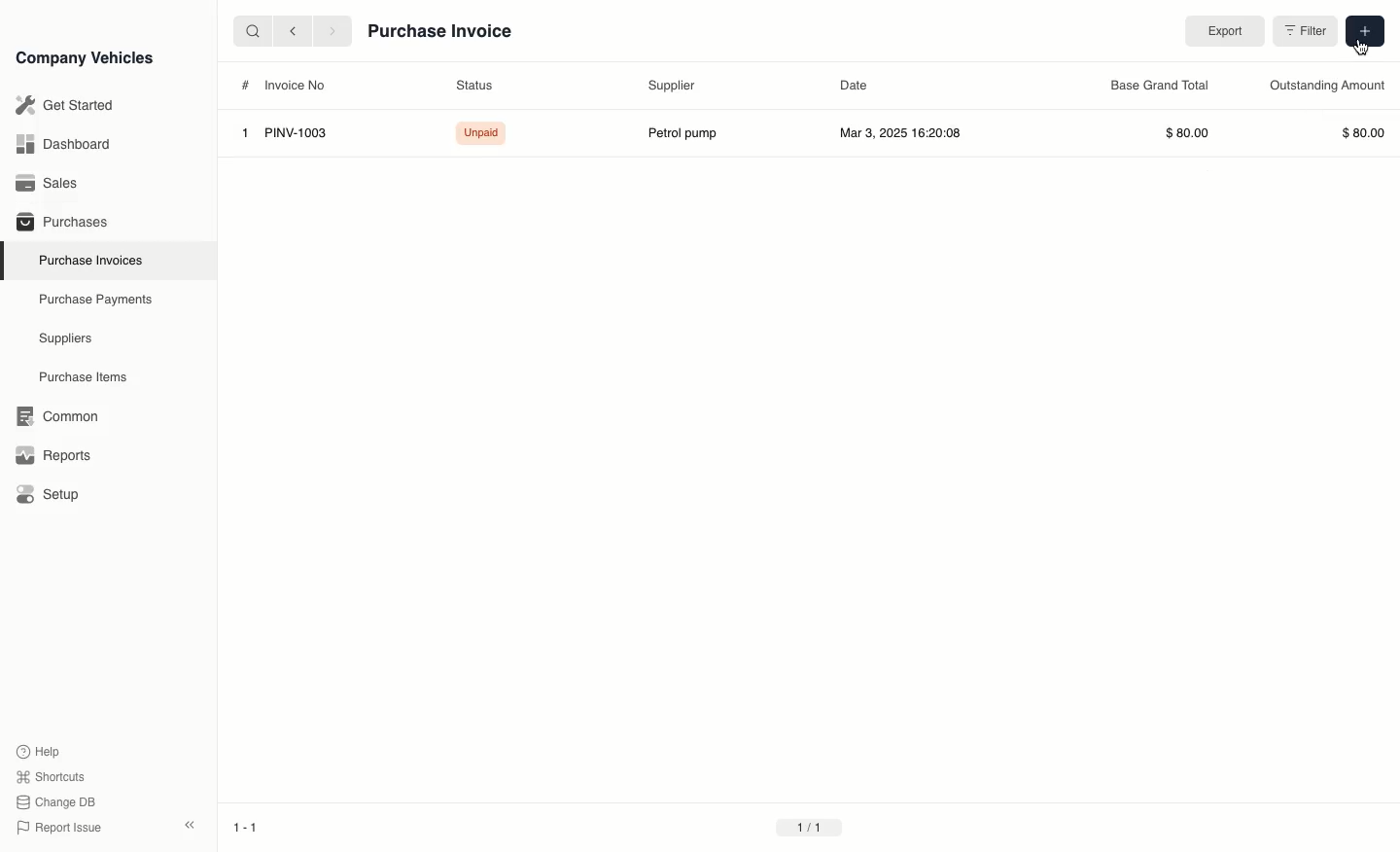 This screenshot has height=852, width=1400. Describe the element at coordinates (681, 134) in the screenshot. I see `Petrol pump` at that location.